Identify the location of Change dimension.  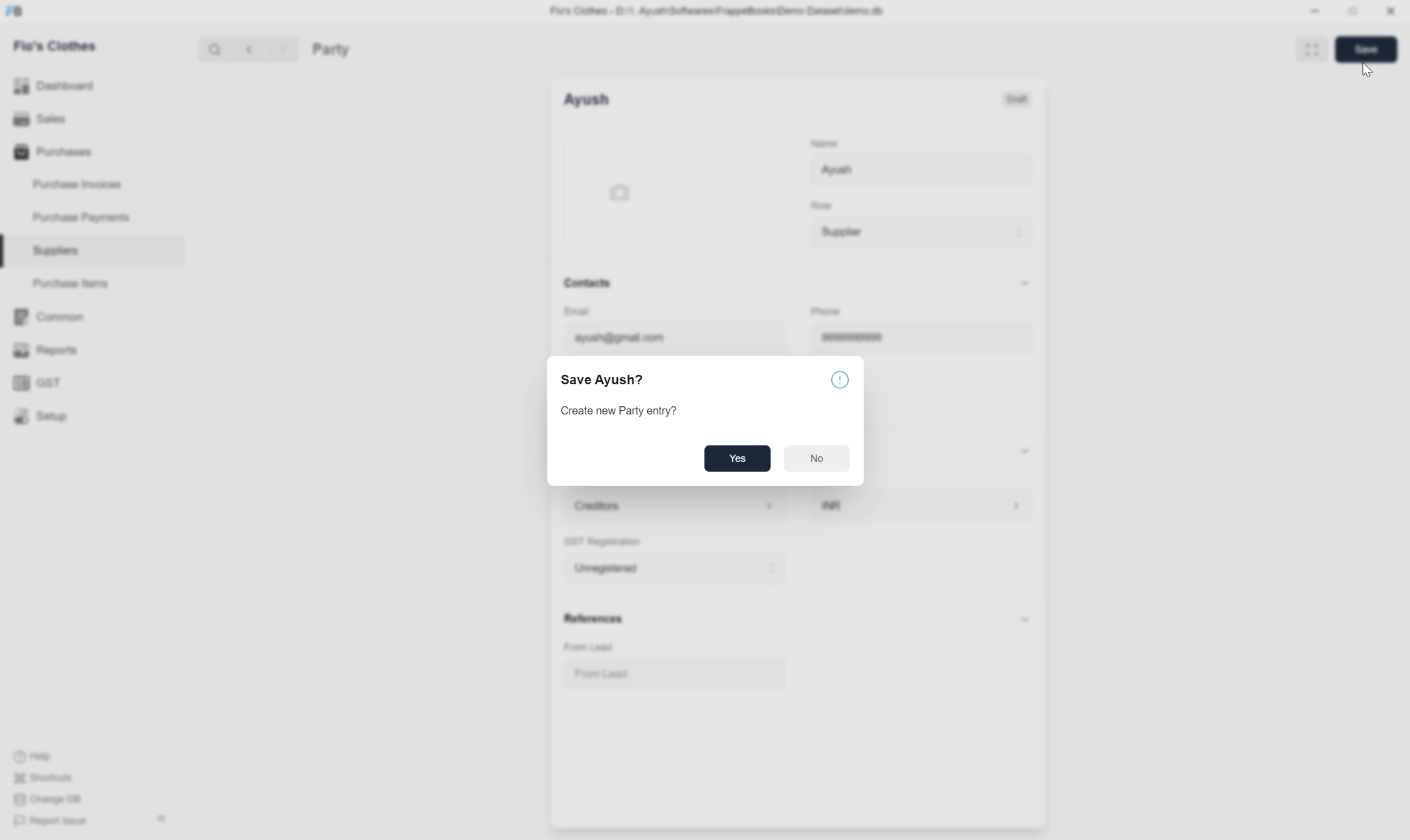
(1353, 11).